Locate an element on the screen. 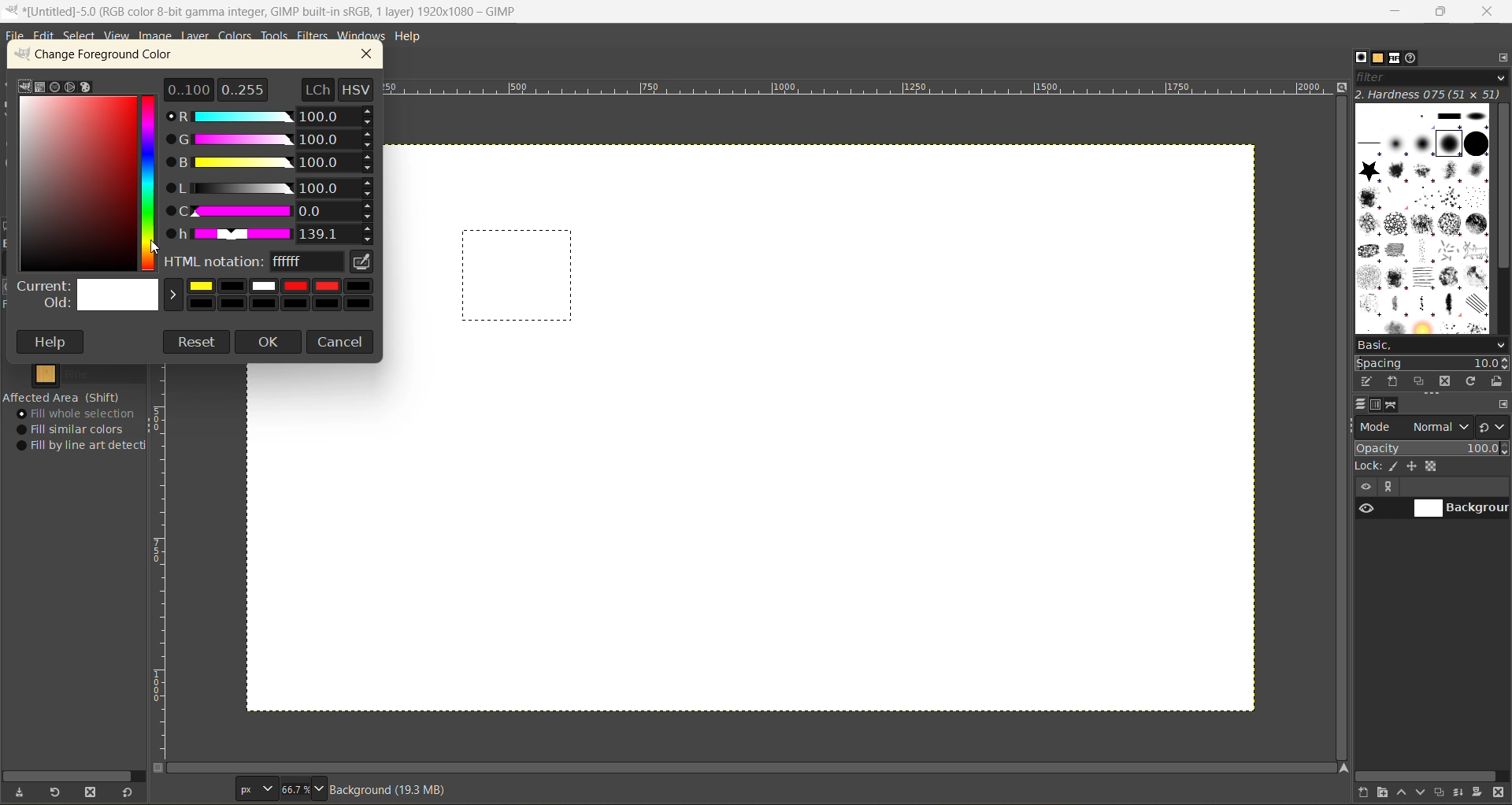  LCH is located at coordinates (316, 88).